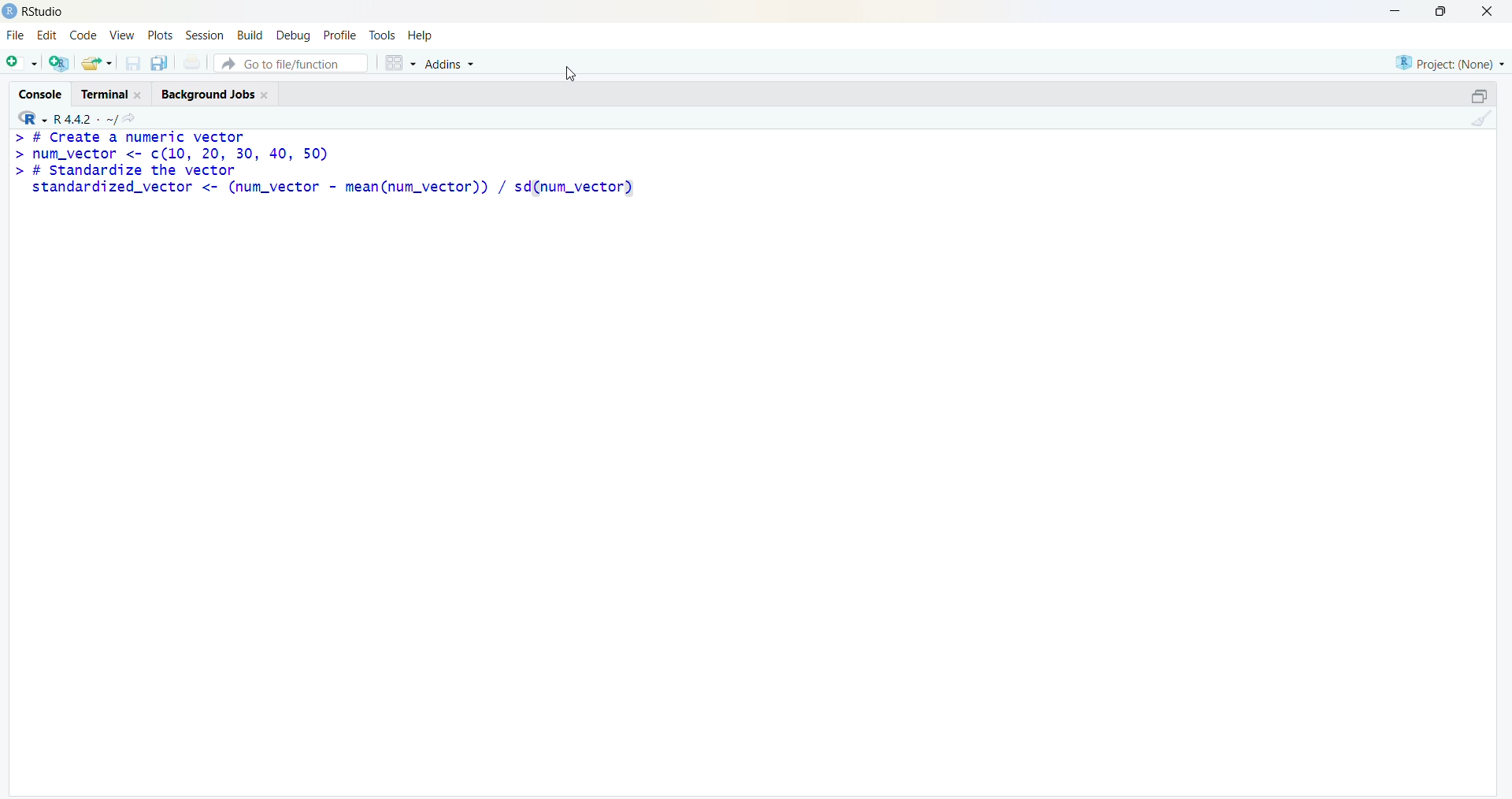 The height and width of the screenshot is (799, 1512). I want to click on plots, so click(159, 35).